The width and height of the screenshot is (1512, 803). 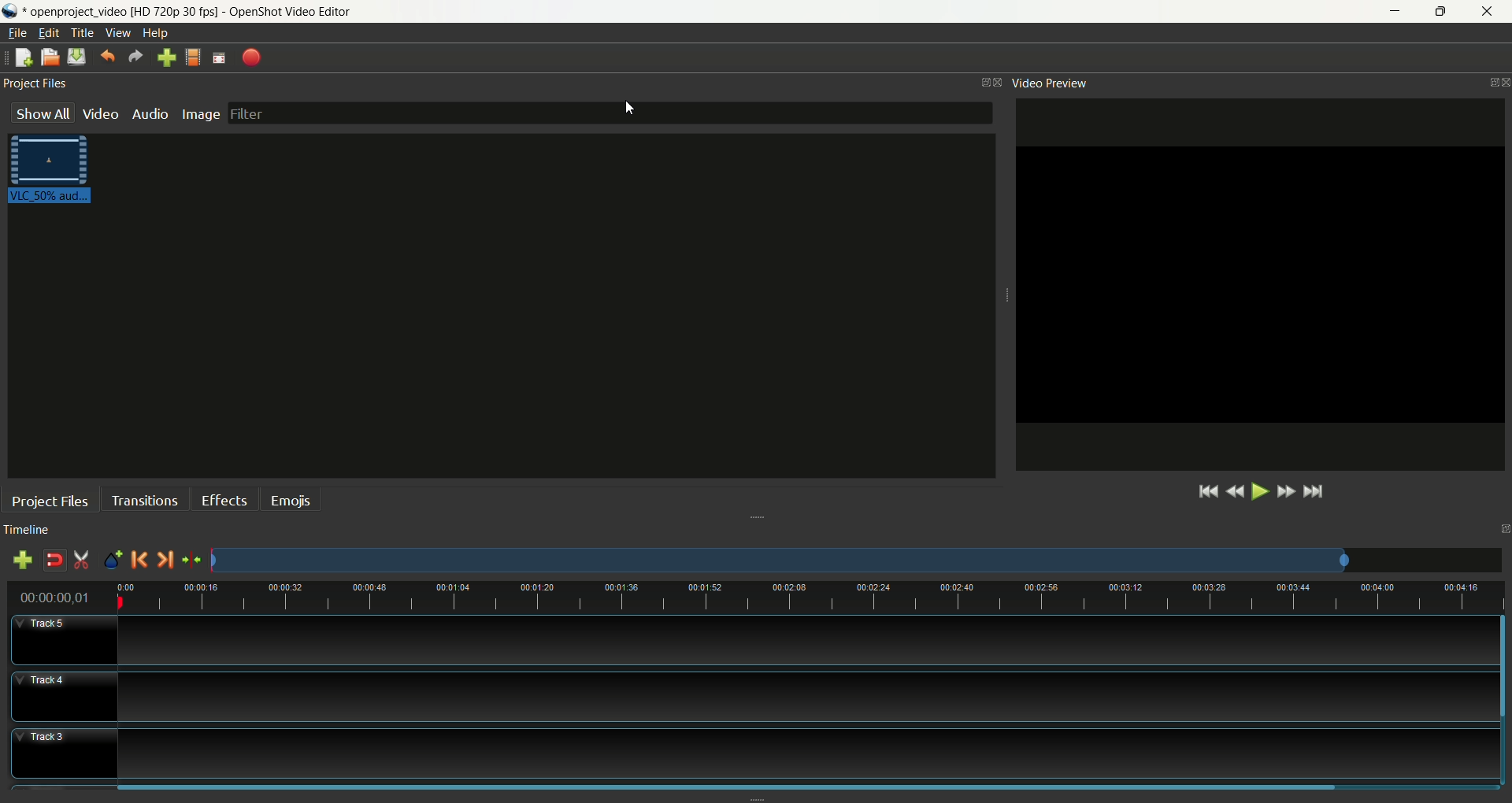 What do you see at coordinates (53, 171) in the screenshot?
I see `video clip` at bounding box center [53, 171].